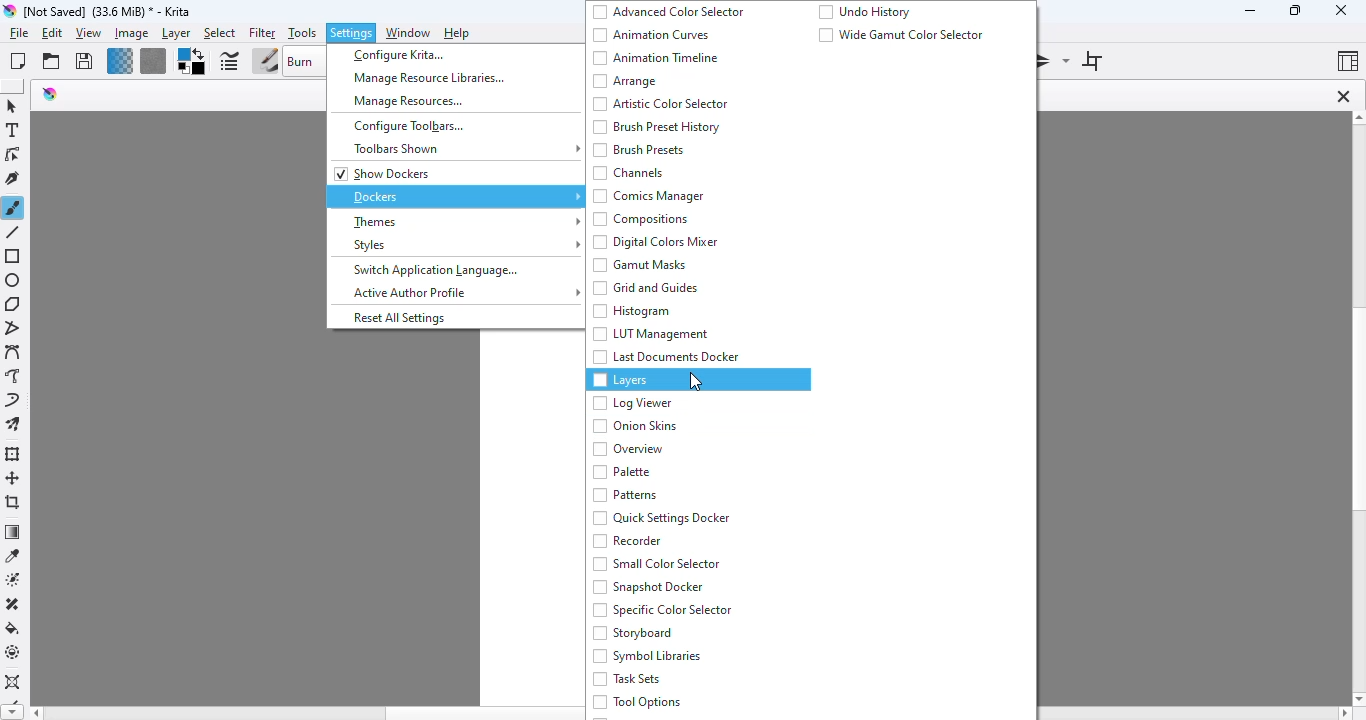  Describe the element at coordinates (400, 56) in the screenshot. I see `configure krita` at that location.